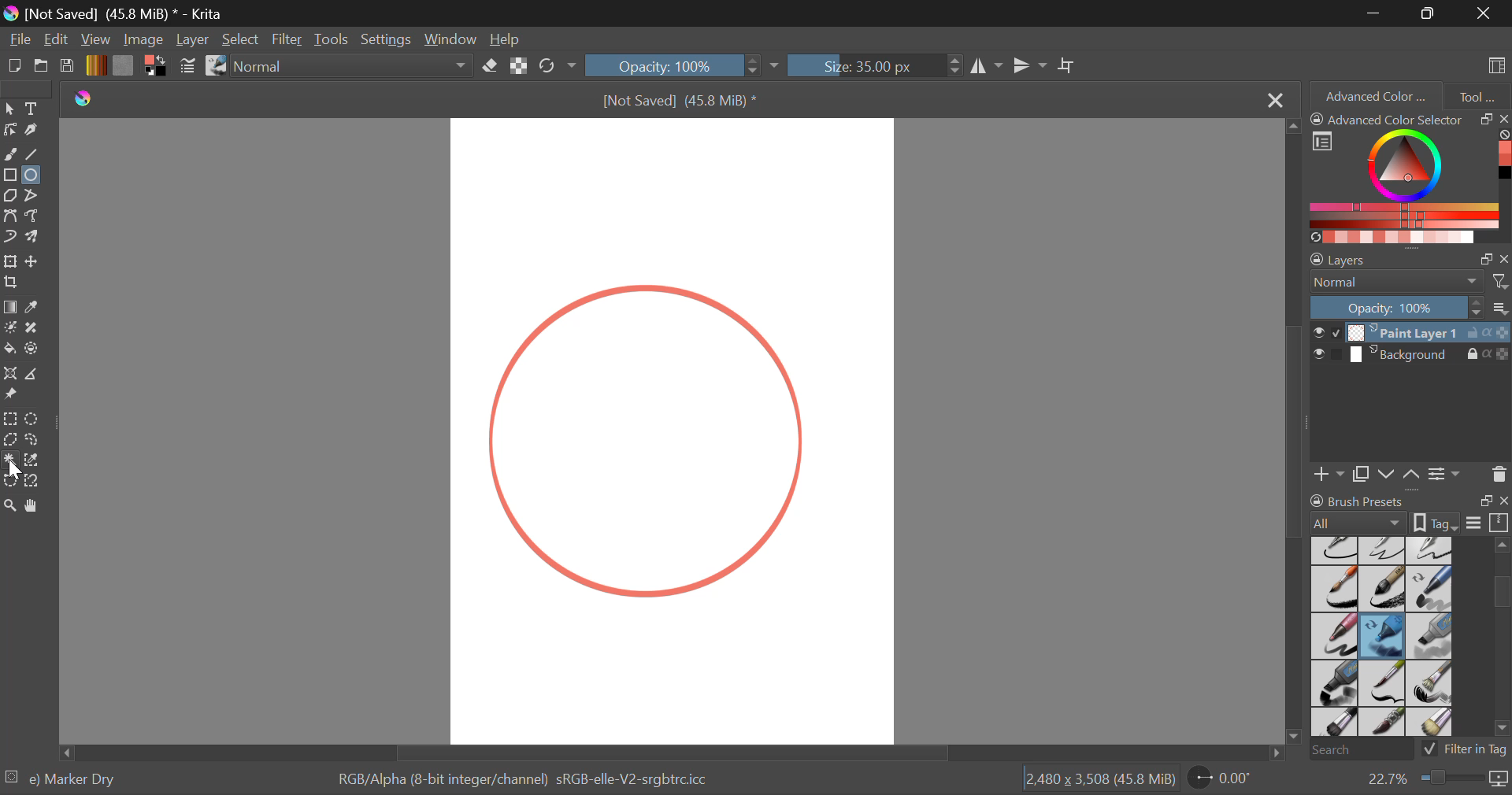  I want to click on Filter, so click(289, 40).